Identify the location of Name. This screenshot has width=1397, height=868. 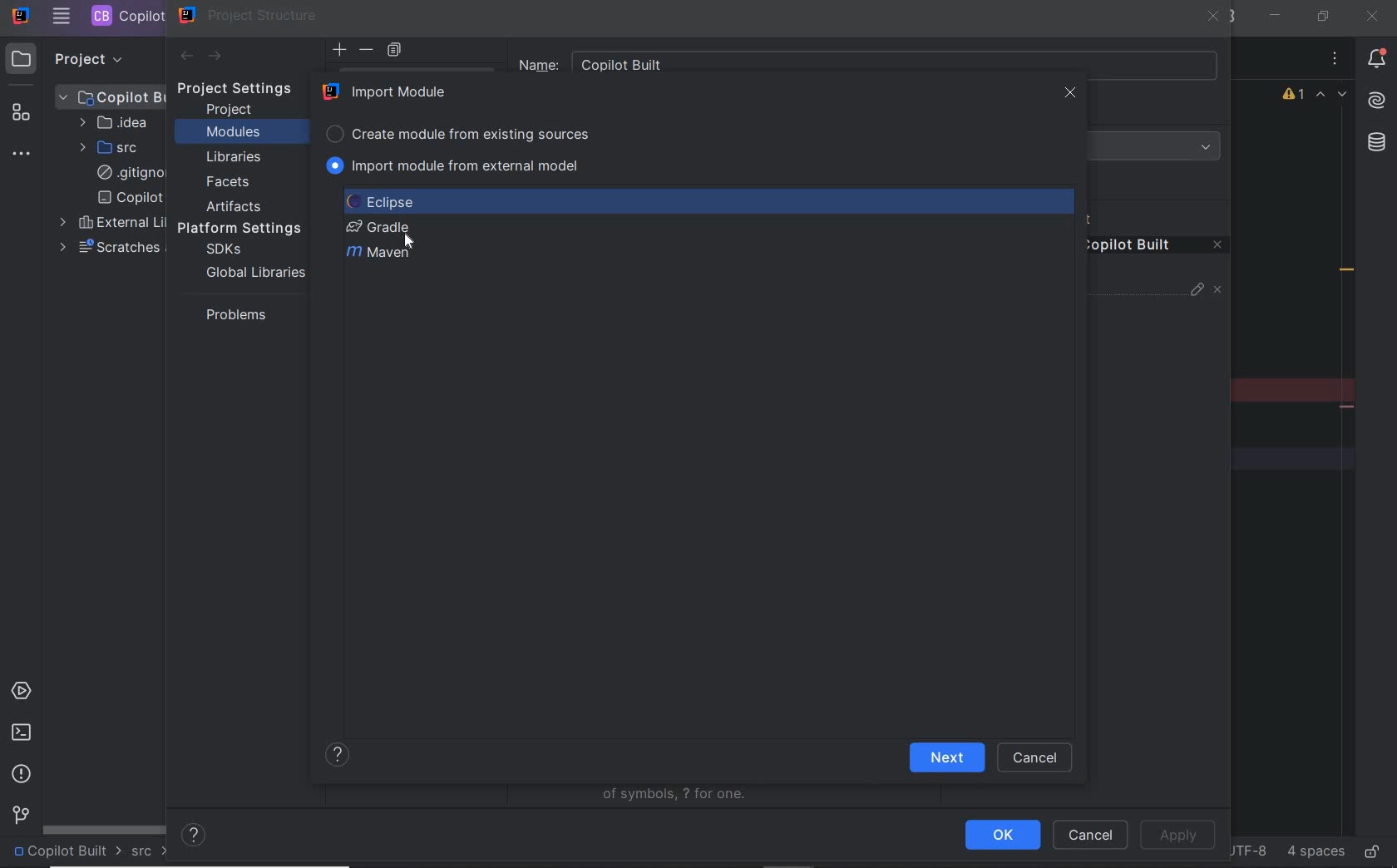
(869, 60).